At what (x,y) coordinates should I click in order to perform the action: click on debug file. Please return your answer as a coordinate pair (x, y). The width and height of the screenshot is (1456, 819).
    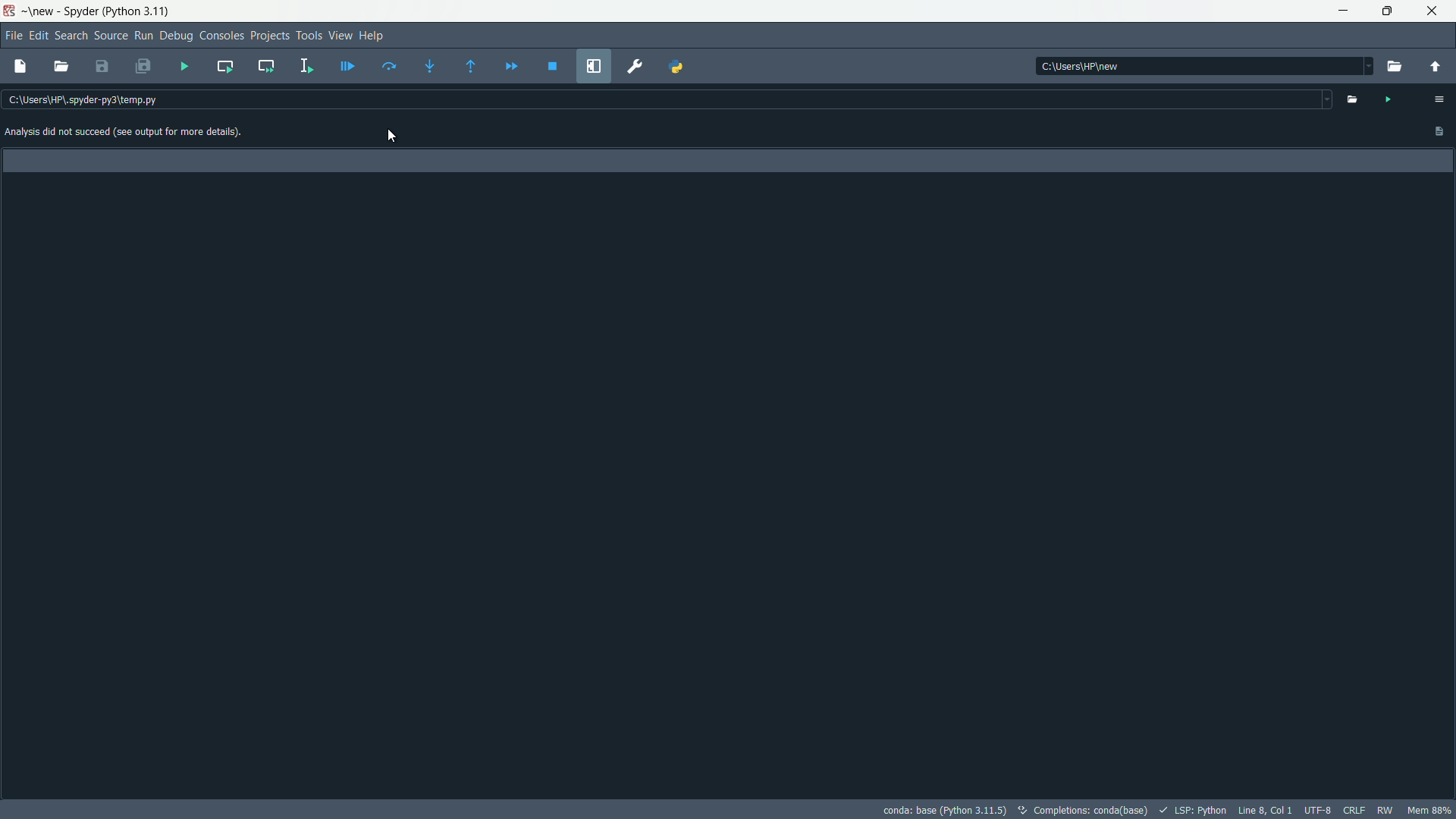
    Looking at the image, I should click on (350, 65).